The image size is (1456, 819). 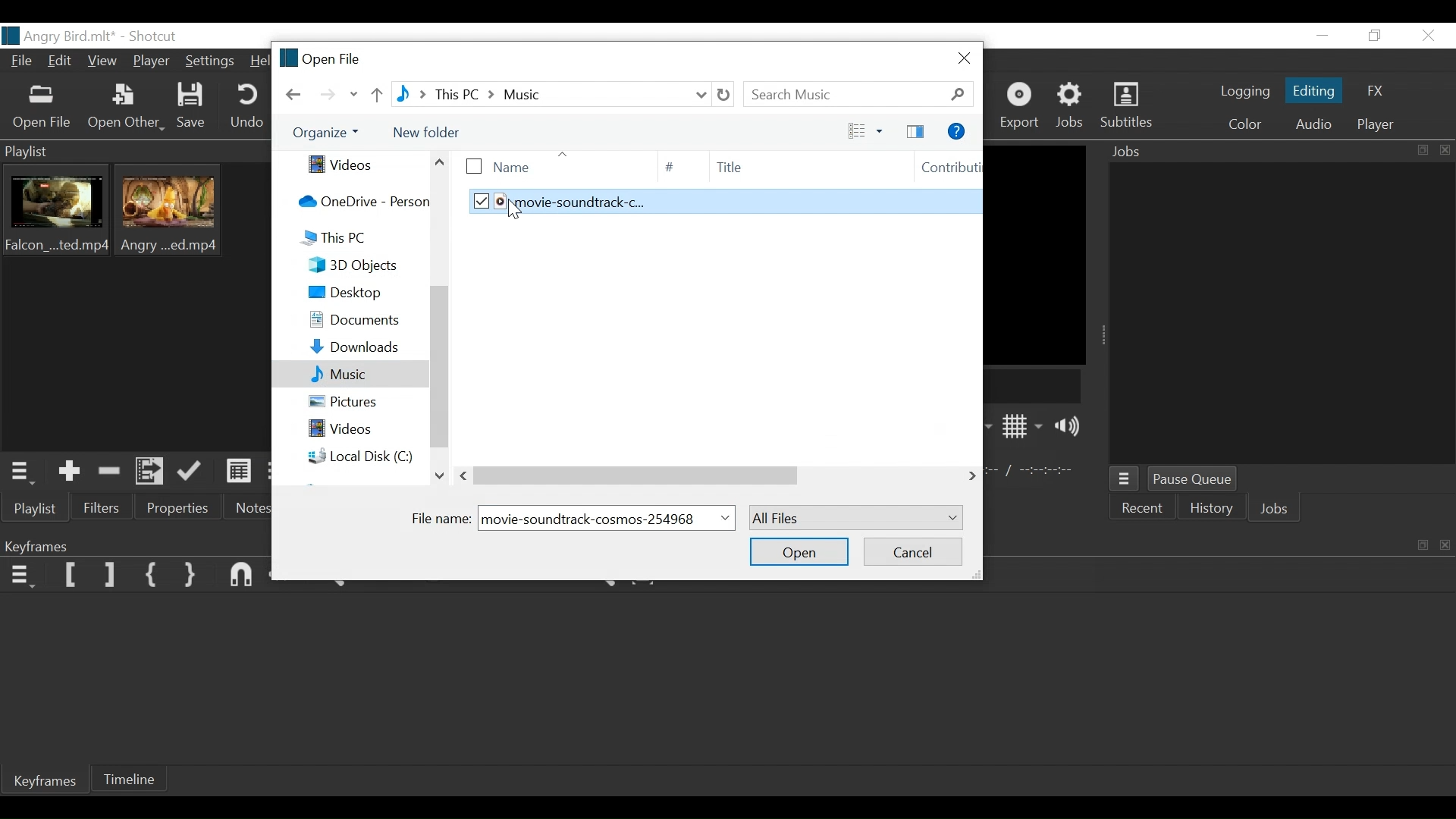 I want to click on Scroll right, so click(x=973, y=474).